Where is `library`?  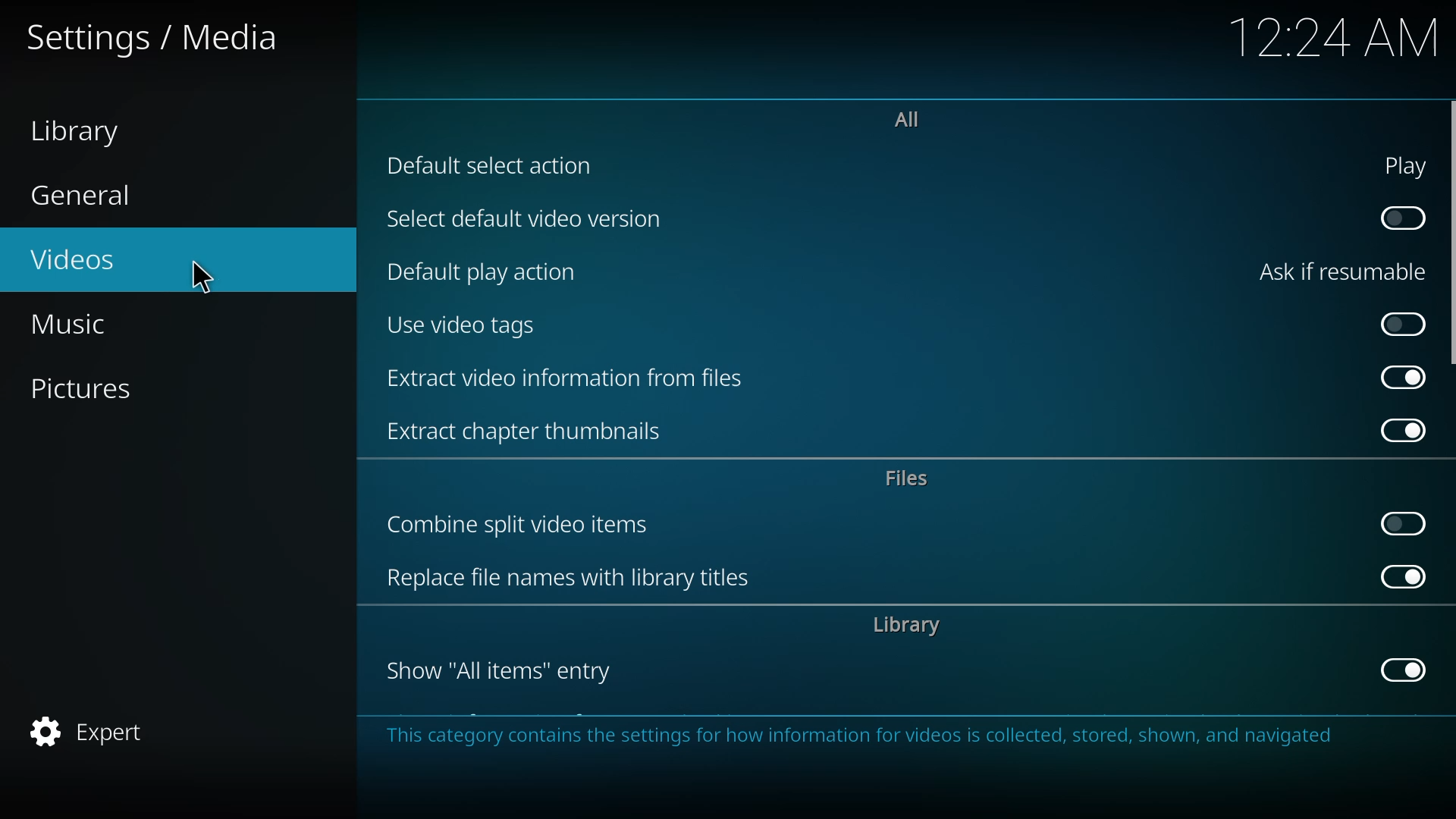 library is located at coordinates (89, 132).